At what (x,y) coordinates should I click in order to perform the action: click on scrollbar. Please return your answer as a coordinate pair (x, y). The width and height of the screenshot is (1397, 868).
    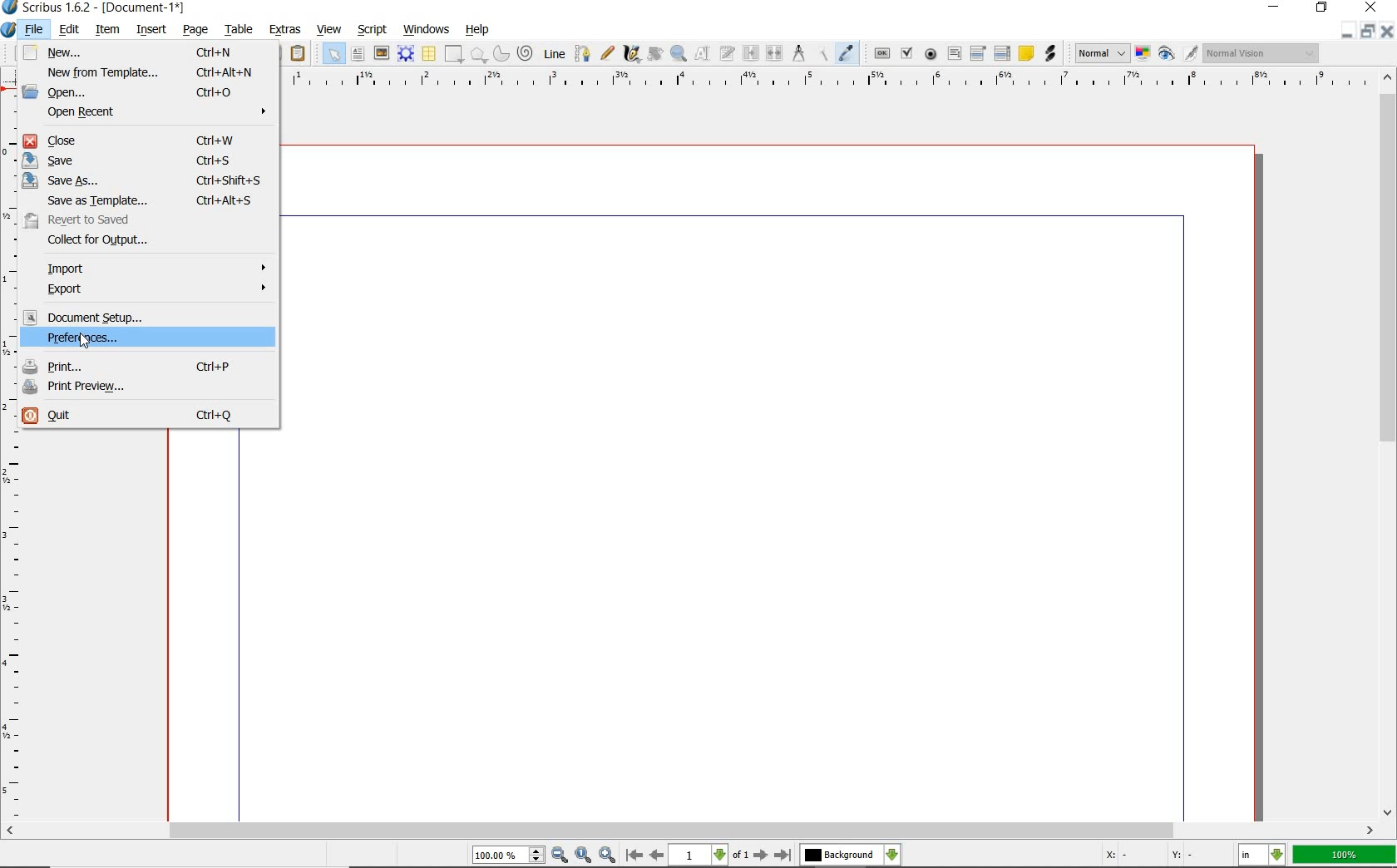
    Looking at the image, I should click on (1389, 445).